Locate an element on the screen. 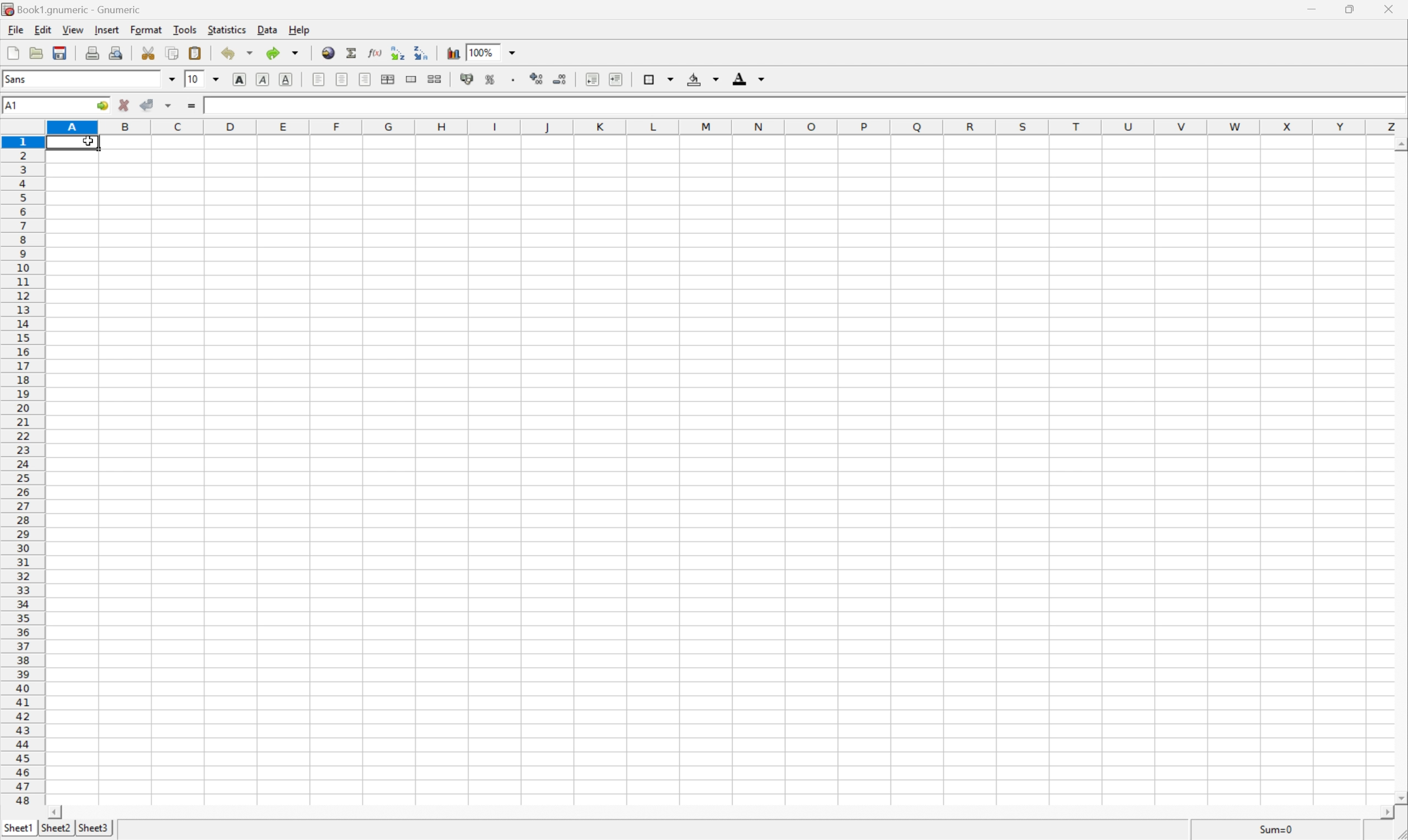  print preview is located at coordinates (116, 52).